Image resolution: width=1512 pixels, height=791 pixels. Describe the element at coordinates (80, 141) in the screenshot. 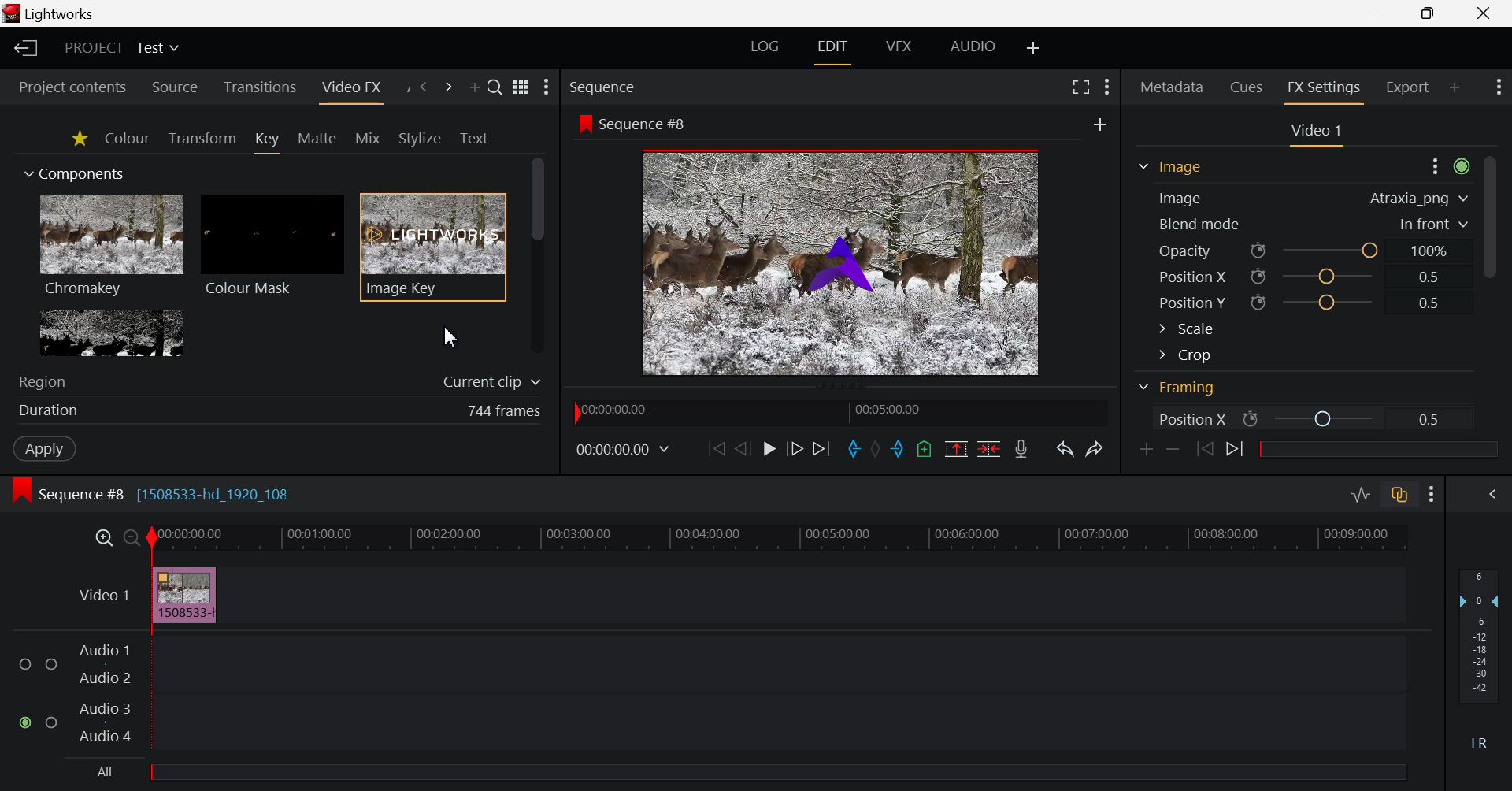

I see `Favorites` at that location.